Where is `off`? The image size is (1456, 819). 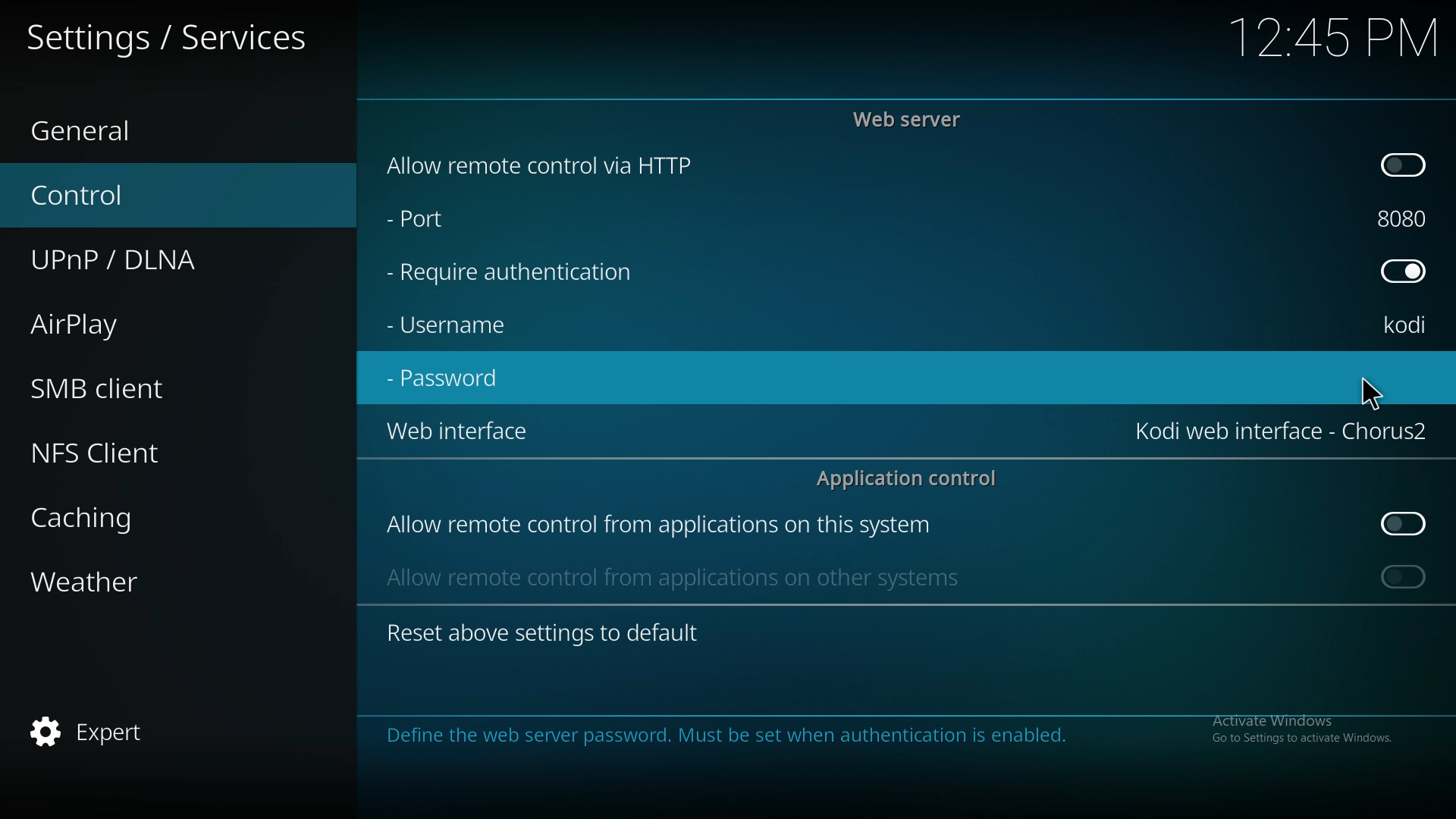
off is located at coordinates (1406, 524).